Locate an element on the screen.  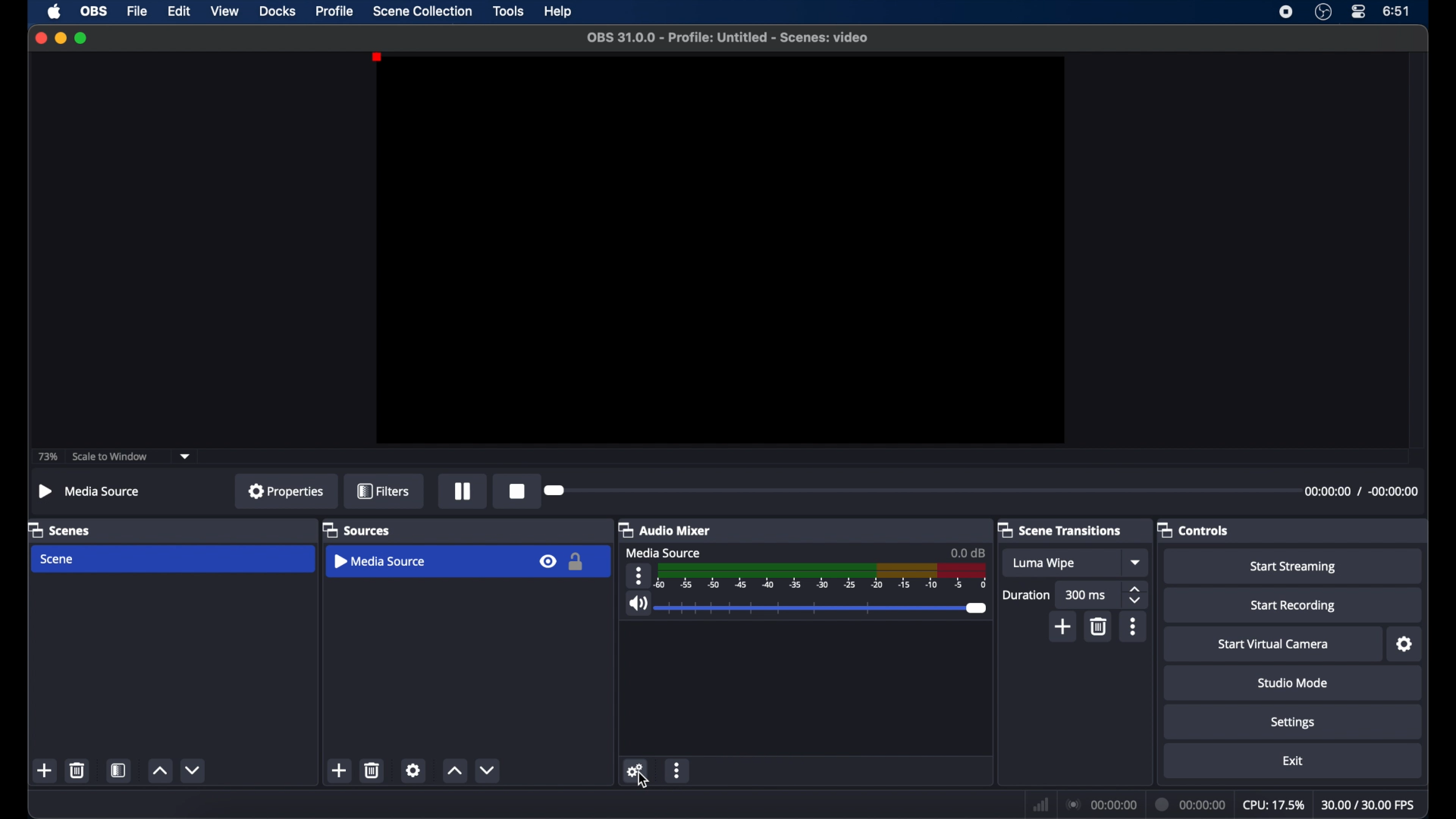
scene collection is located at coordinates (422, 11).